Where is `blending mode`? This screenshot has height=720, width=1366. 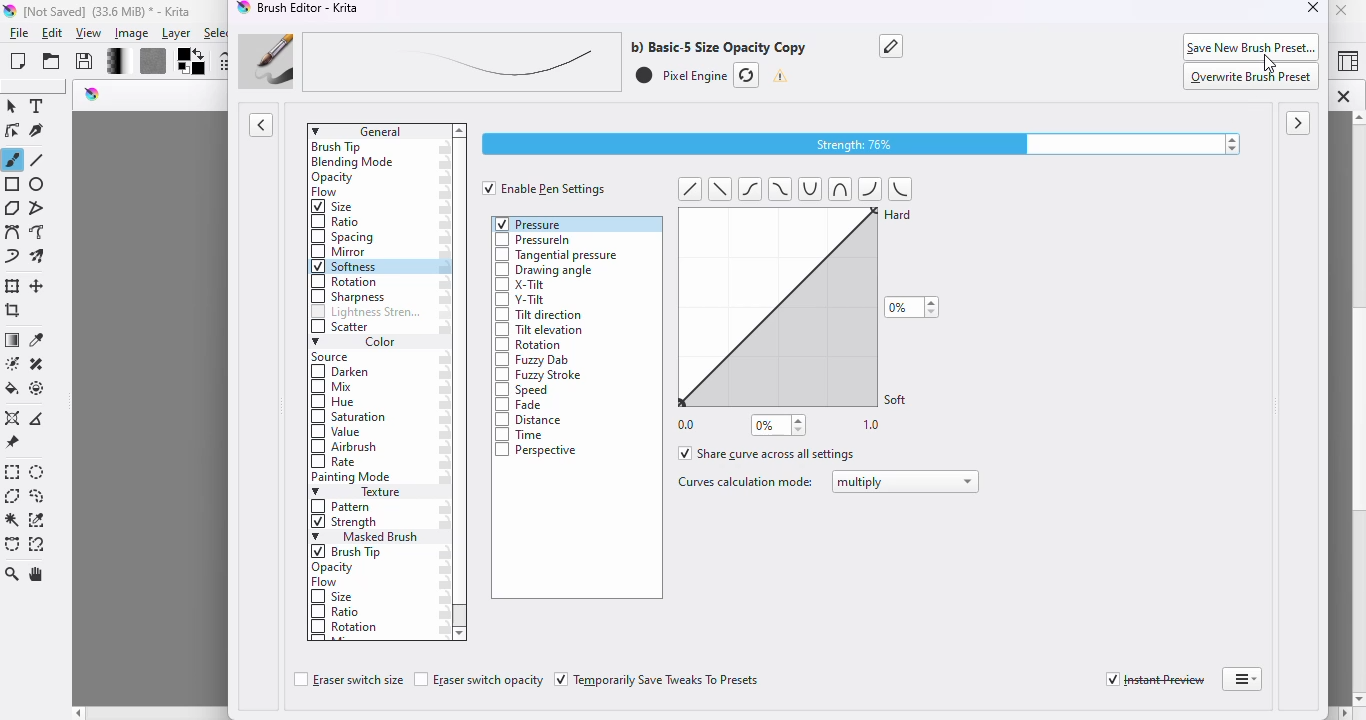
blending mode is located at coordinates (354, 163).